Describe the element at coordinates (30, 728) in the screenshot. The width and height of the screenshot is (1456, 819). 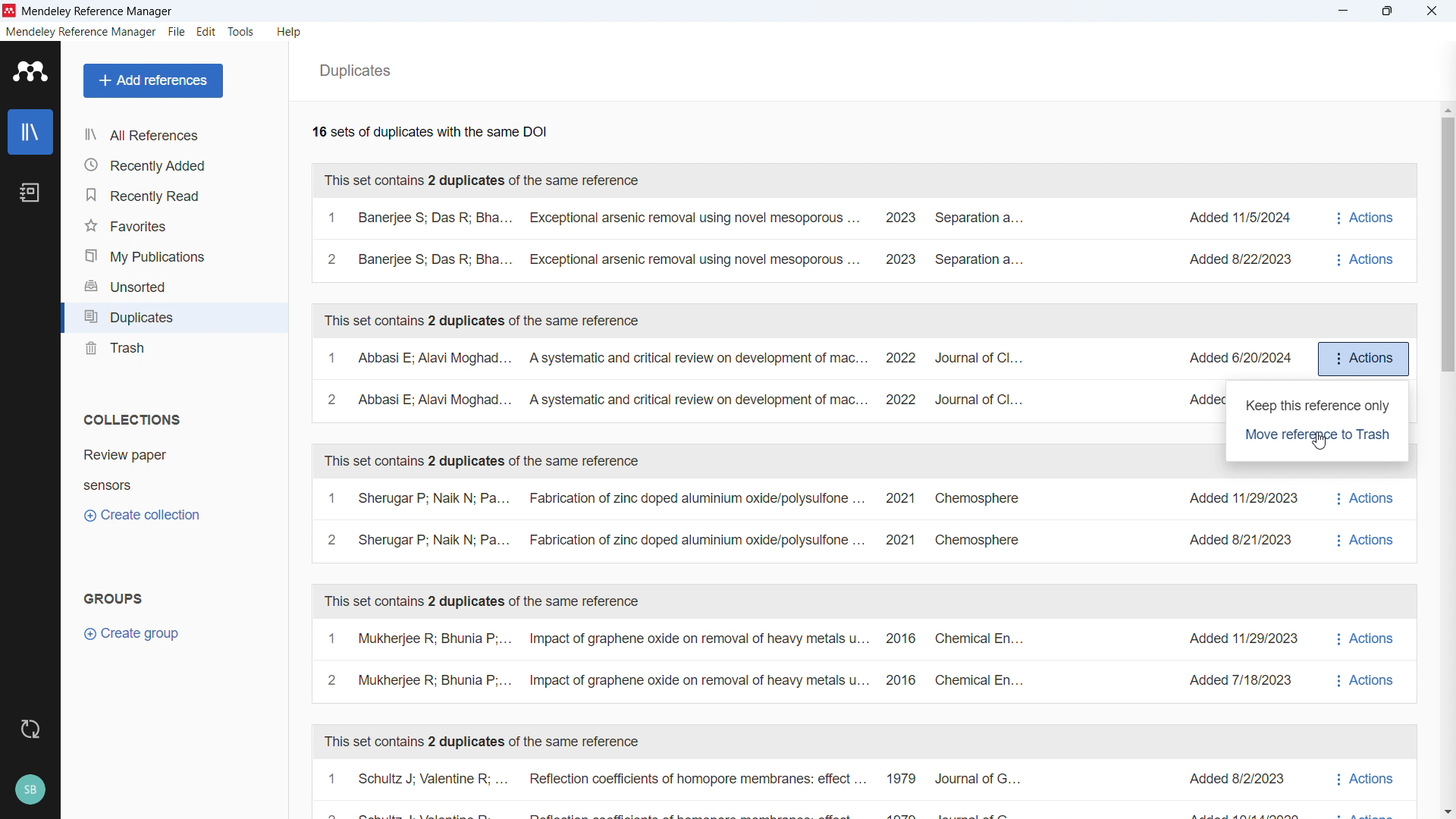
I see `sync` at that location.